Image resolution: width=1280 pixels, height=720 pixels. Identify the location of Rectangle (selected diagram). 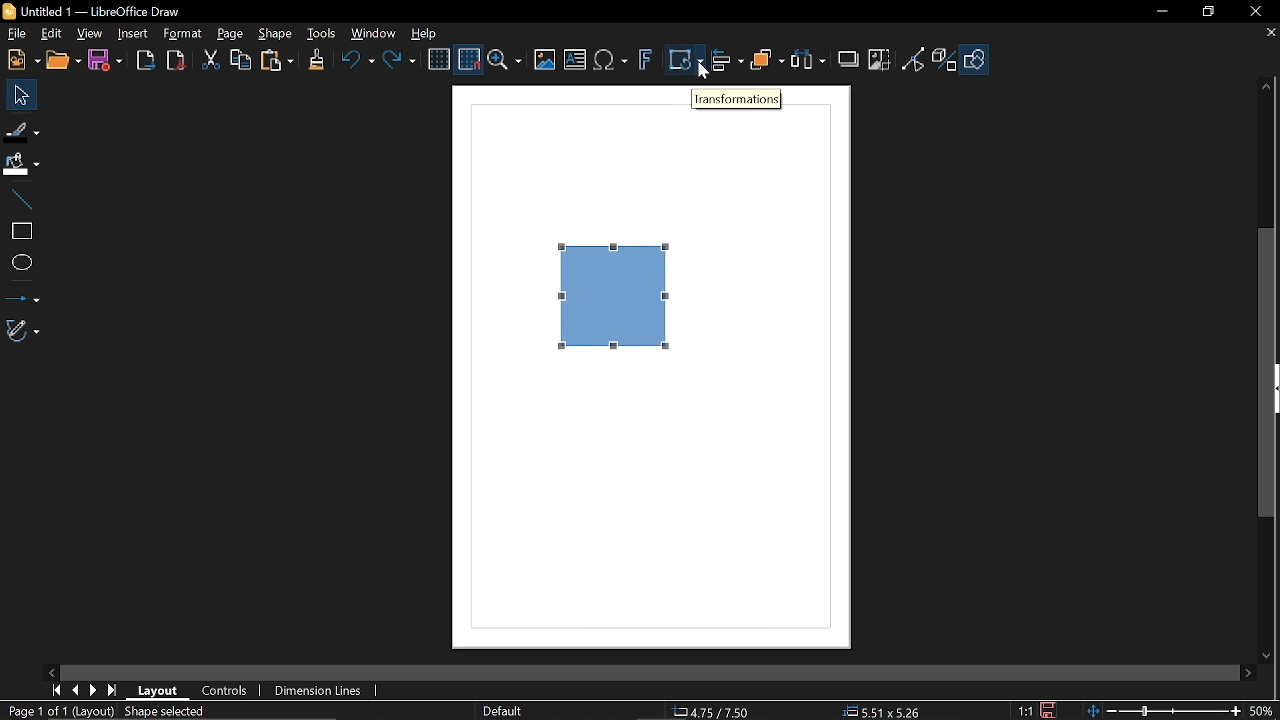
(616, 295).